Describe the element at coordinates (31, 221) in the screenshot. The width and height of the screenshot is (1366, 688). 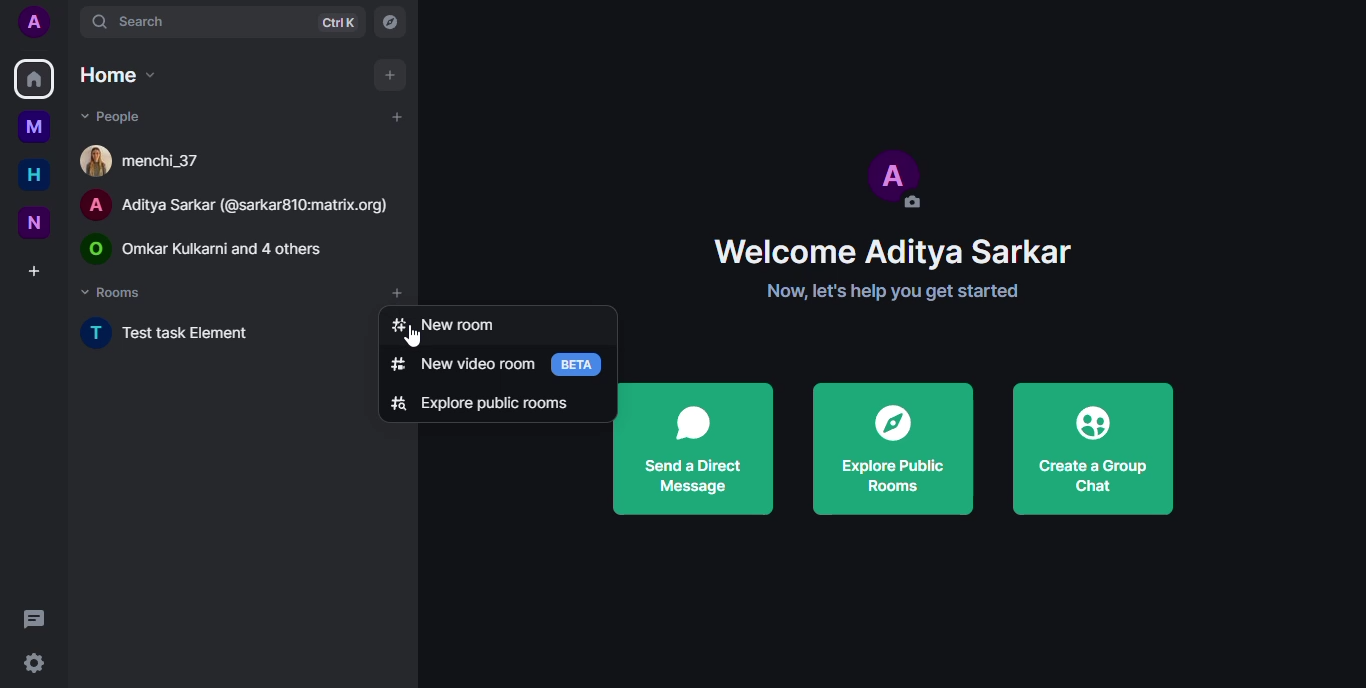
I see `new` at that location.